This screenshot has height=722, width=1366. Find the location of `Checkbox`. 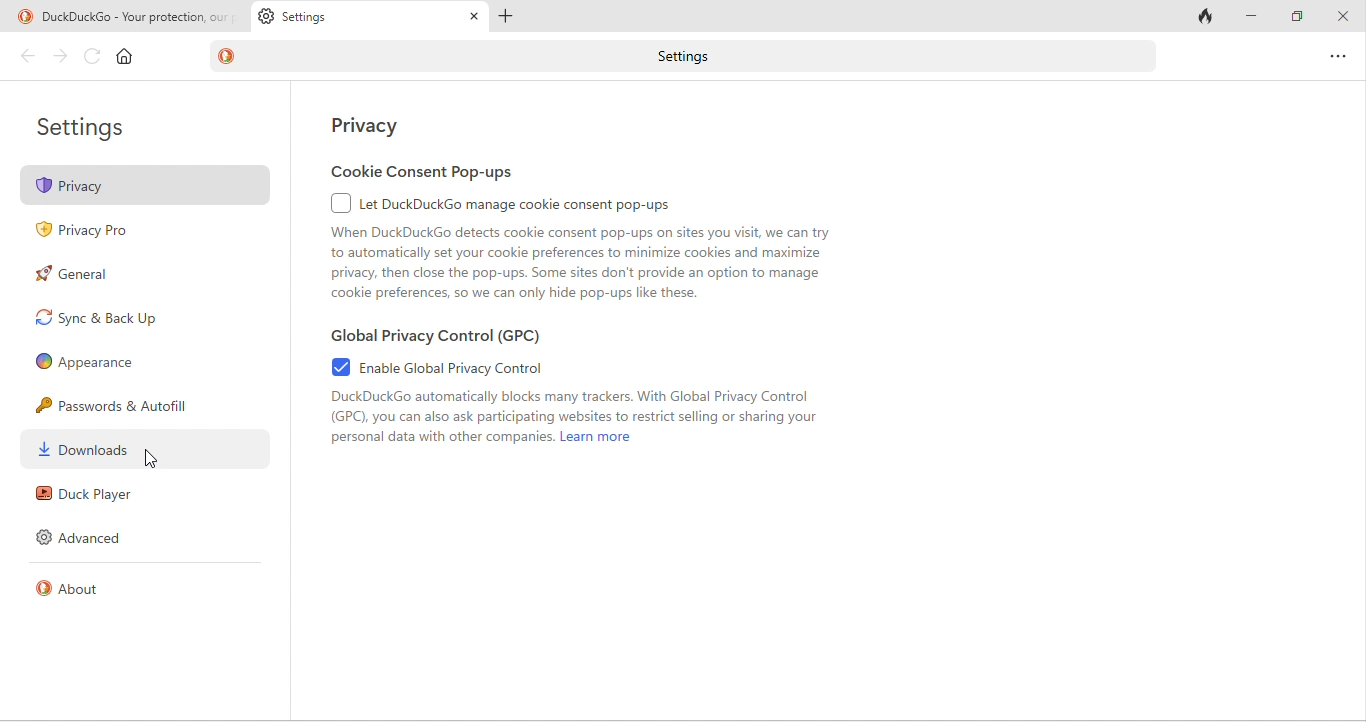

Checkbox is located at coordinates (331, 367).